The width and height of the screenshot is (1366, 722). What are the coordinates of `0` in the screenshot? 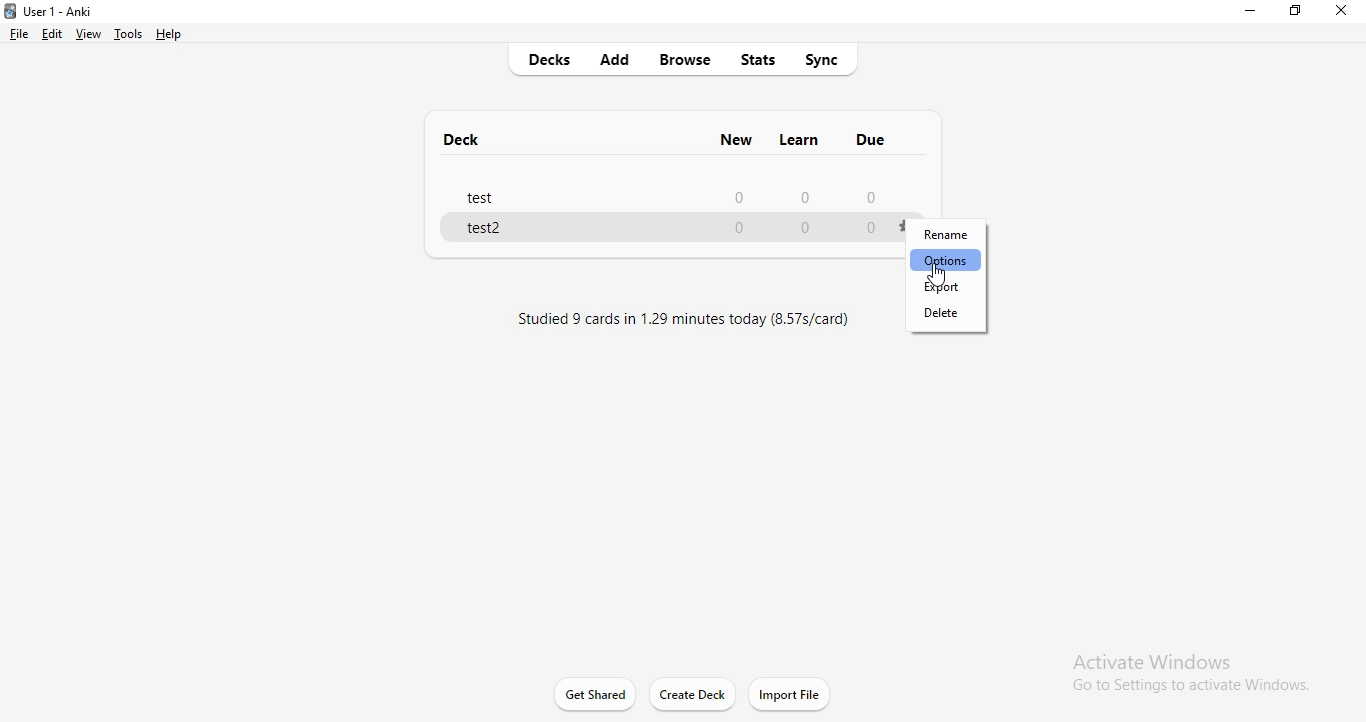 It's located at (800, 199).